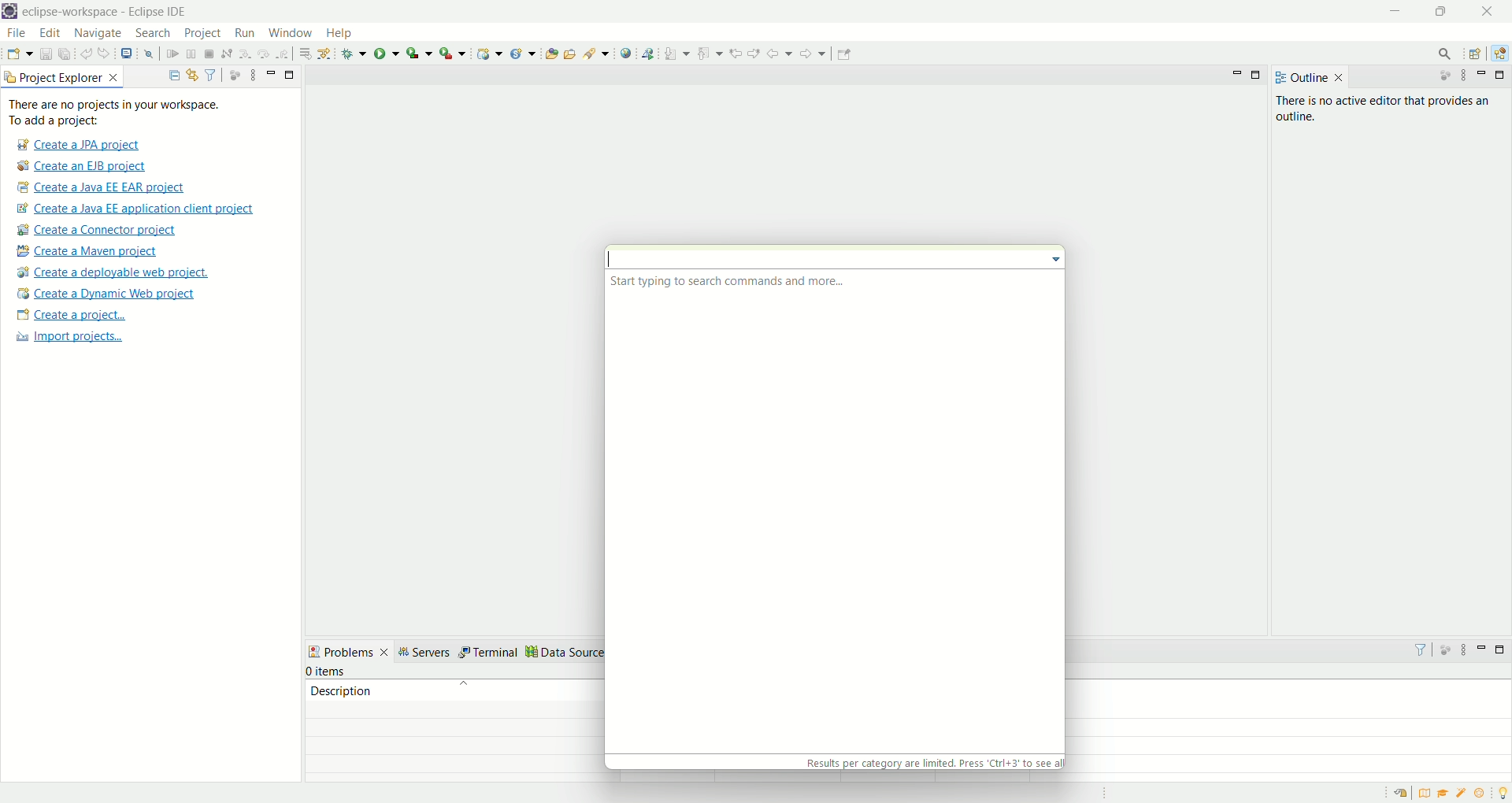  What do you see at coordinates (210, 55) in the screenshot?
I see `terminate` at bounding box center [210, 55].